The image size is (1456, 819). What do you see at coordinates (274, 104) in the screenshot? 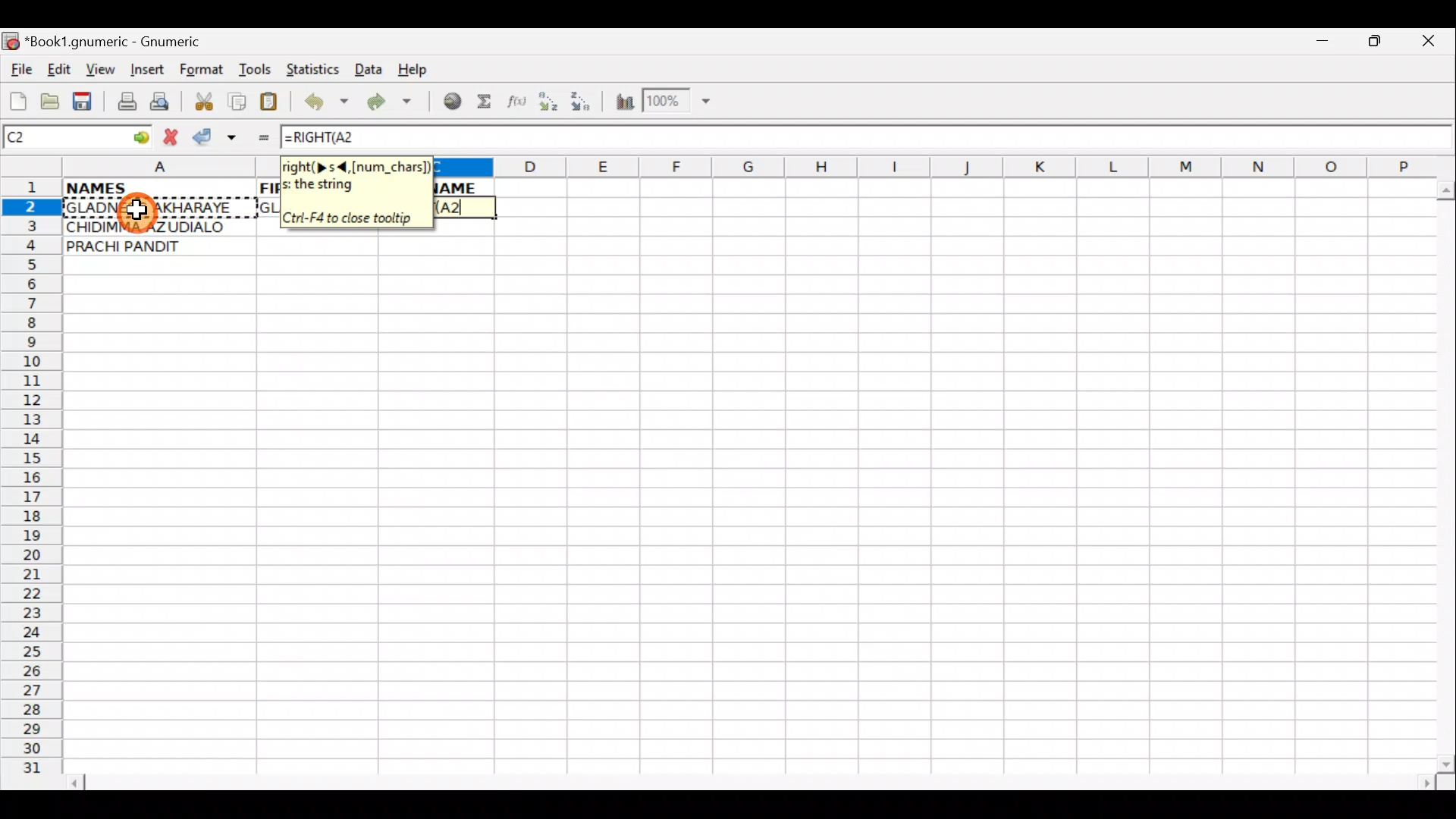
I see `Paste clipboard` at bounding box center [274, 104].